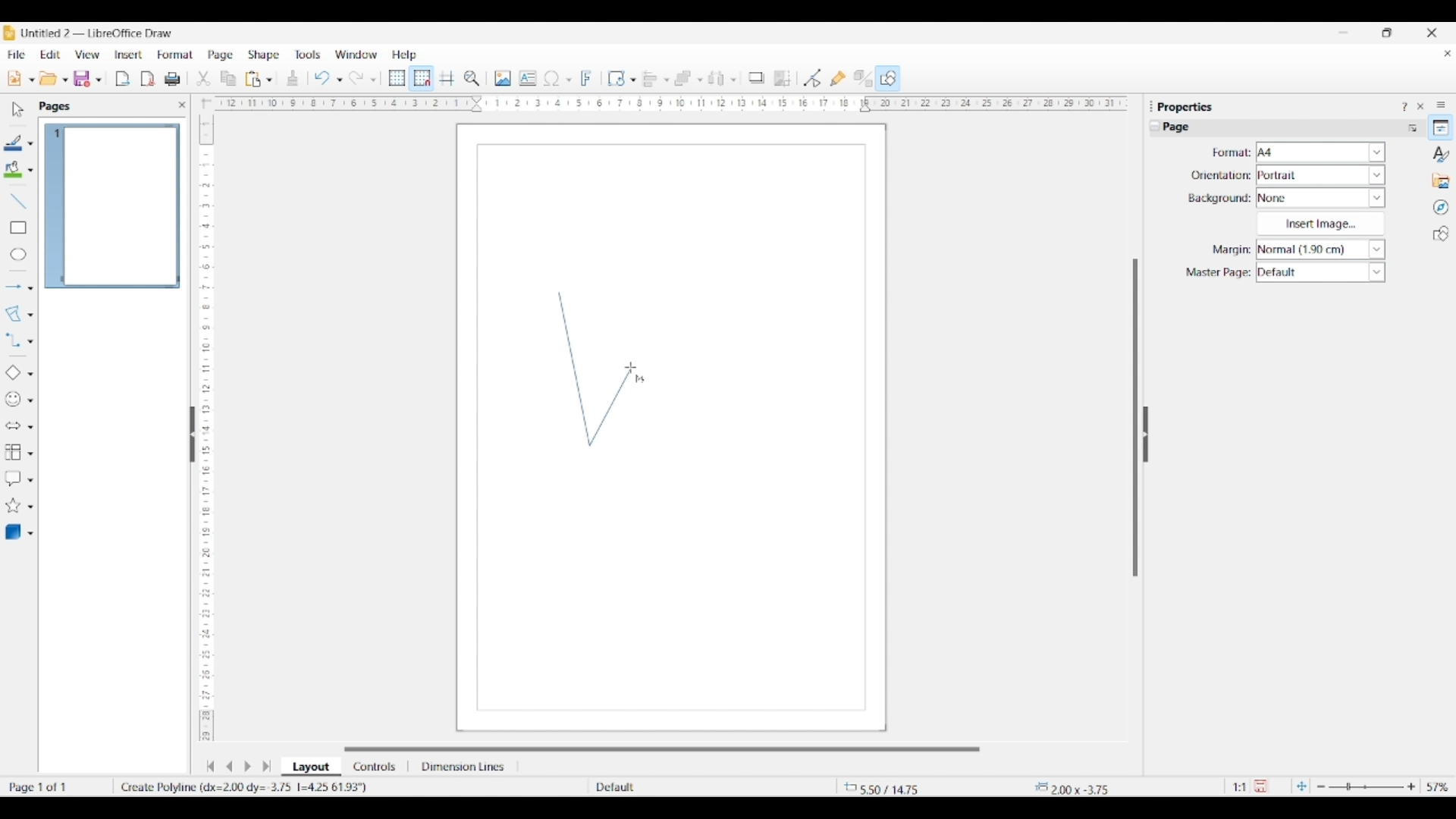 Image resolution: width=1456 pixels, height=819 pixels. What do you see at coordinates (111, 206) in the screenshot?
I see `Current page` at bounding box center [111, 206].